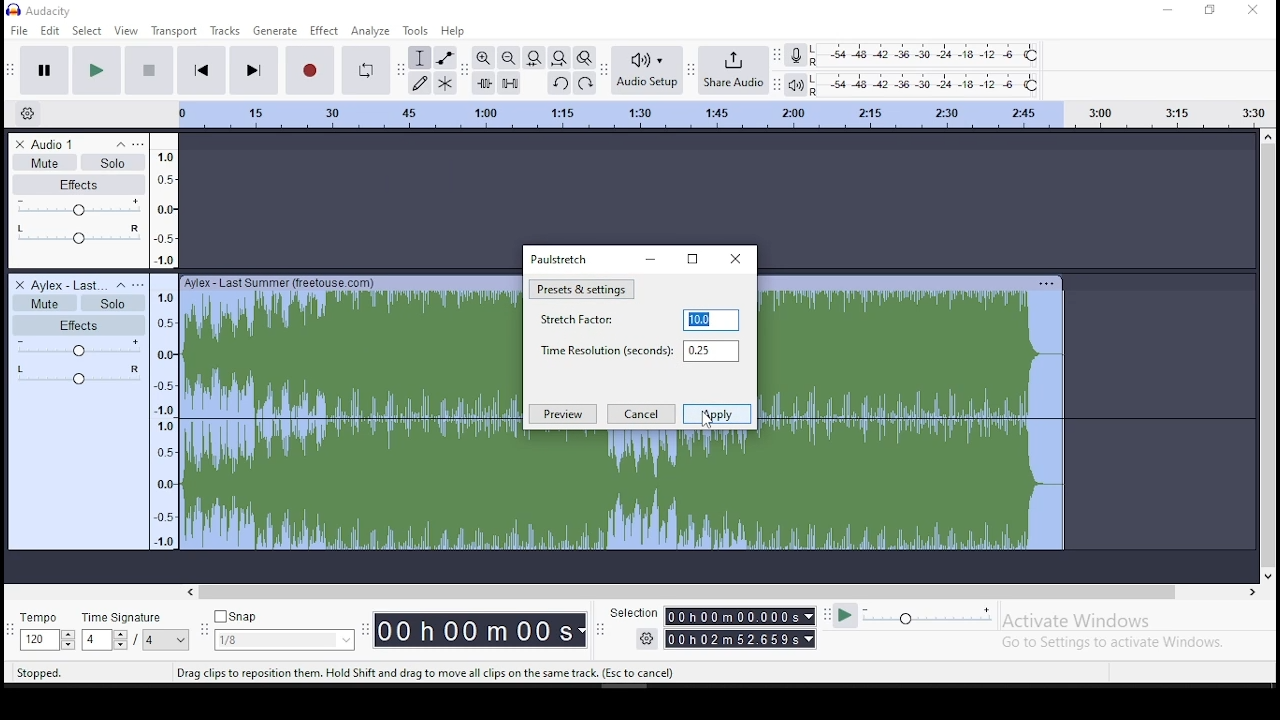  What do you see at coordinates (46, 632) in the screenshot?
I see `tempo` at bounding box center [46, 632].